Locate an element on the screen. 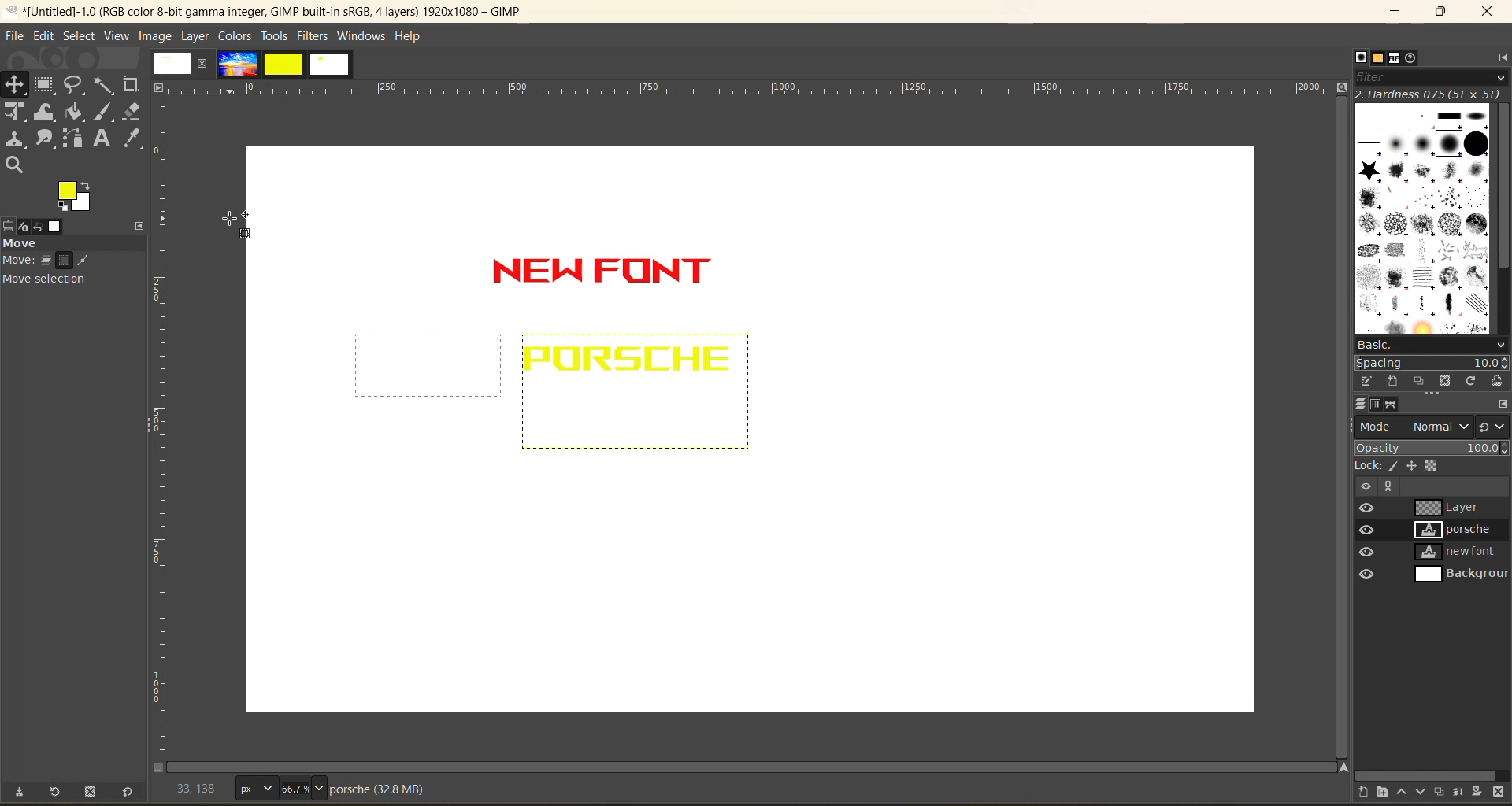 This screenshot has height=806, width=1512. color picker is located at coordinates (132, 139).